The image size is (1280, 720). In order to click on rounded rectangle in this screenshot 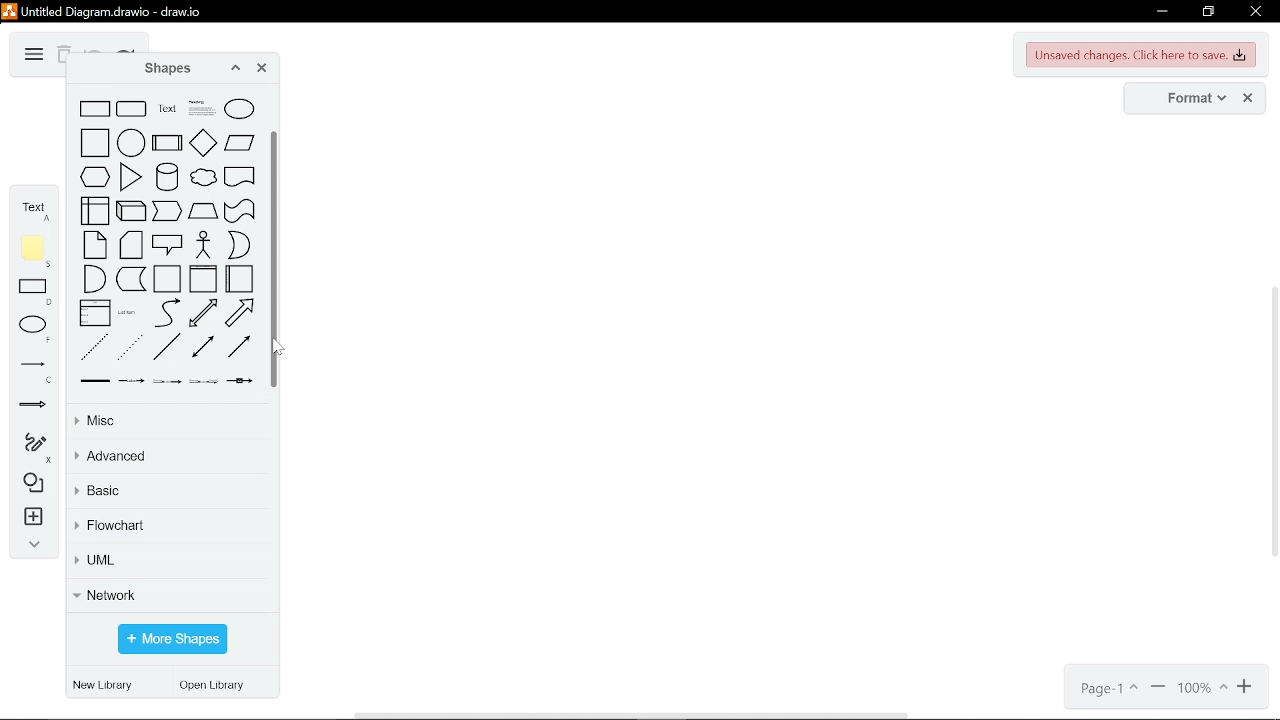, I will do `click(132, 109)`.